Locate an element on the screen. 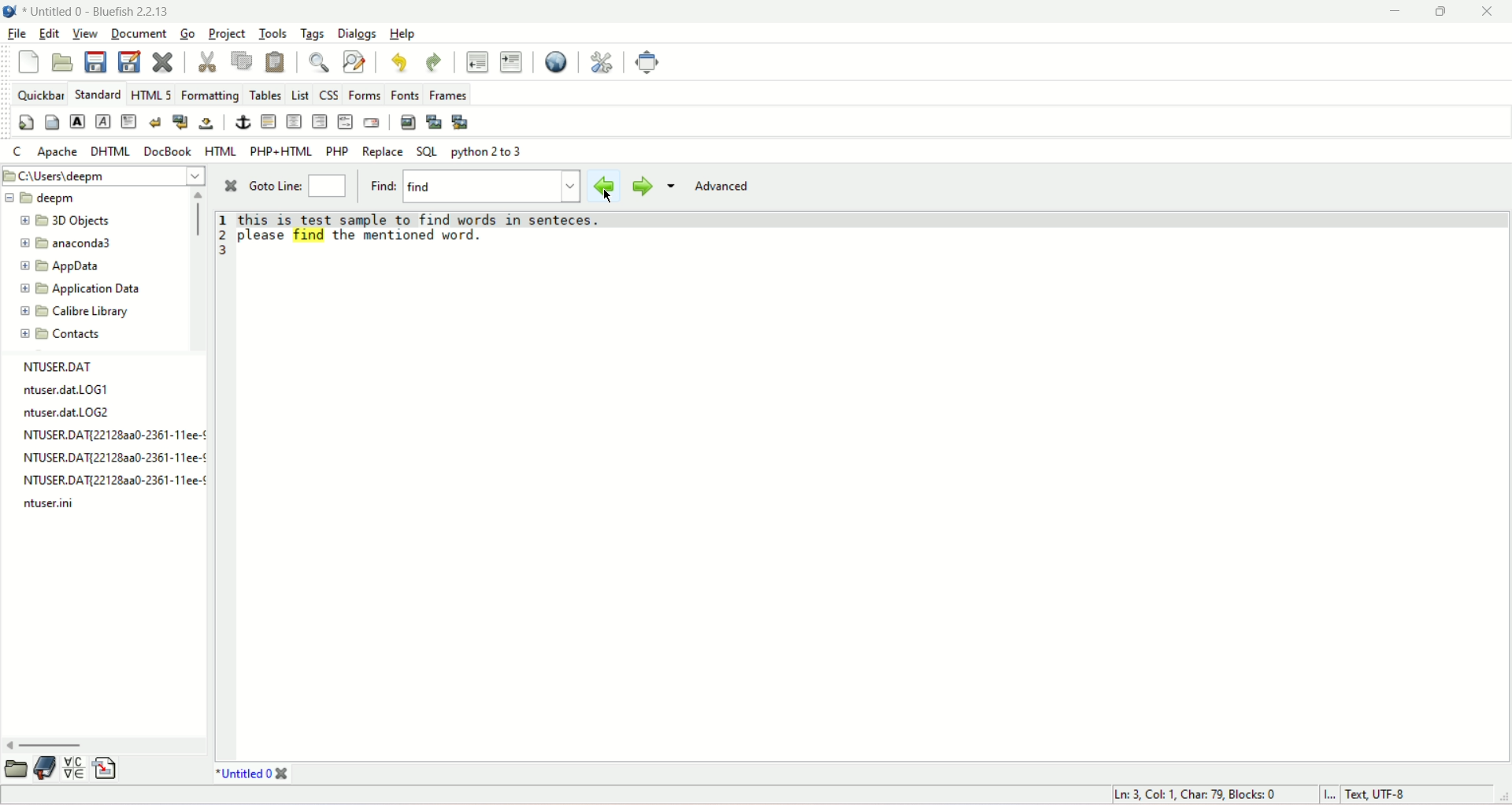  formatting is located at coordinates (210, 93).